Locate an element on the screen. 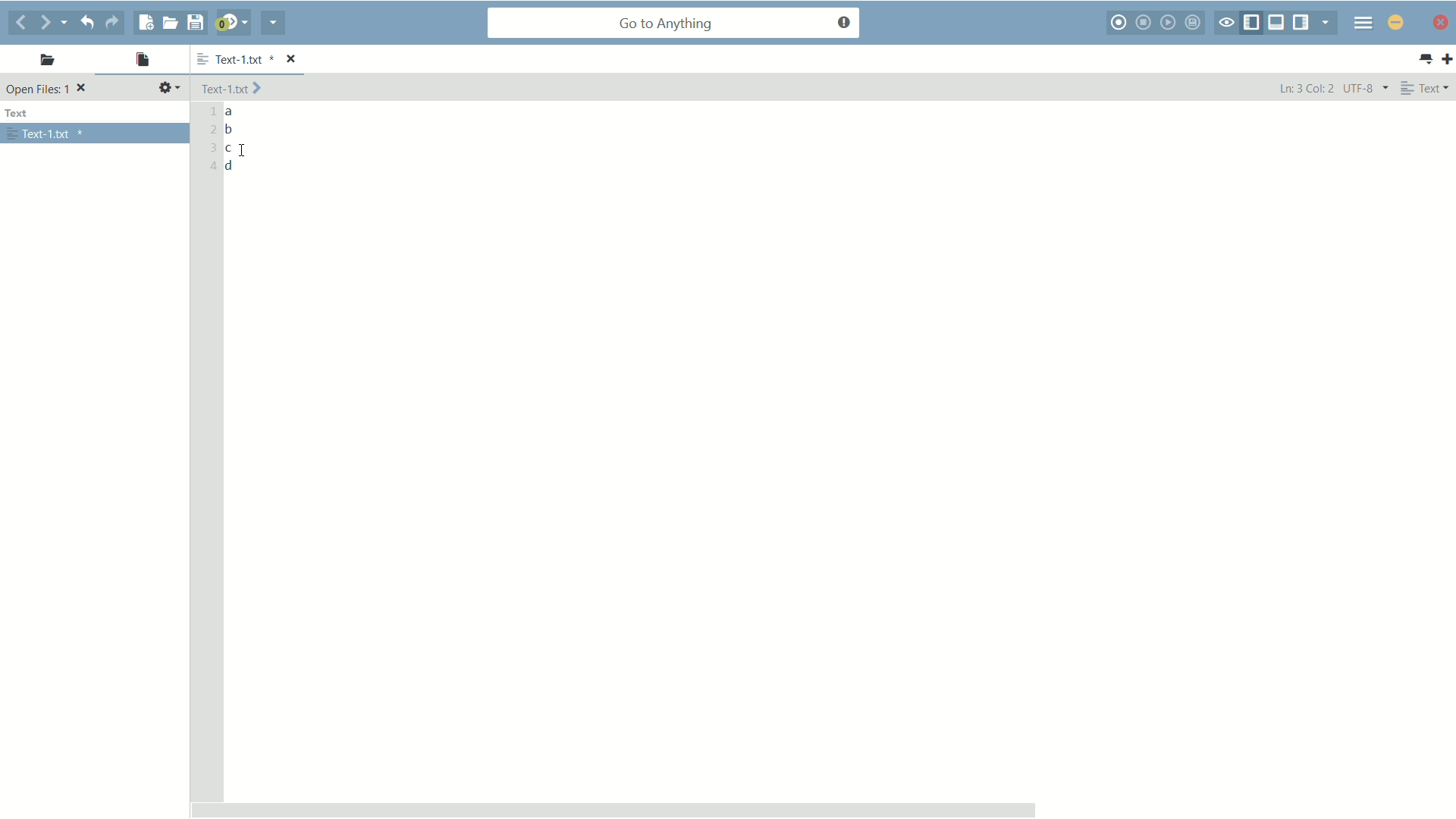 The image size is (1456, 819). new tab is located at coordinates (1447, 60).